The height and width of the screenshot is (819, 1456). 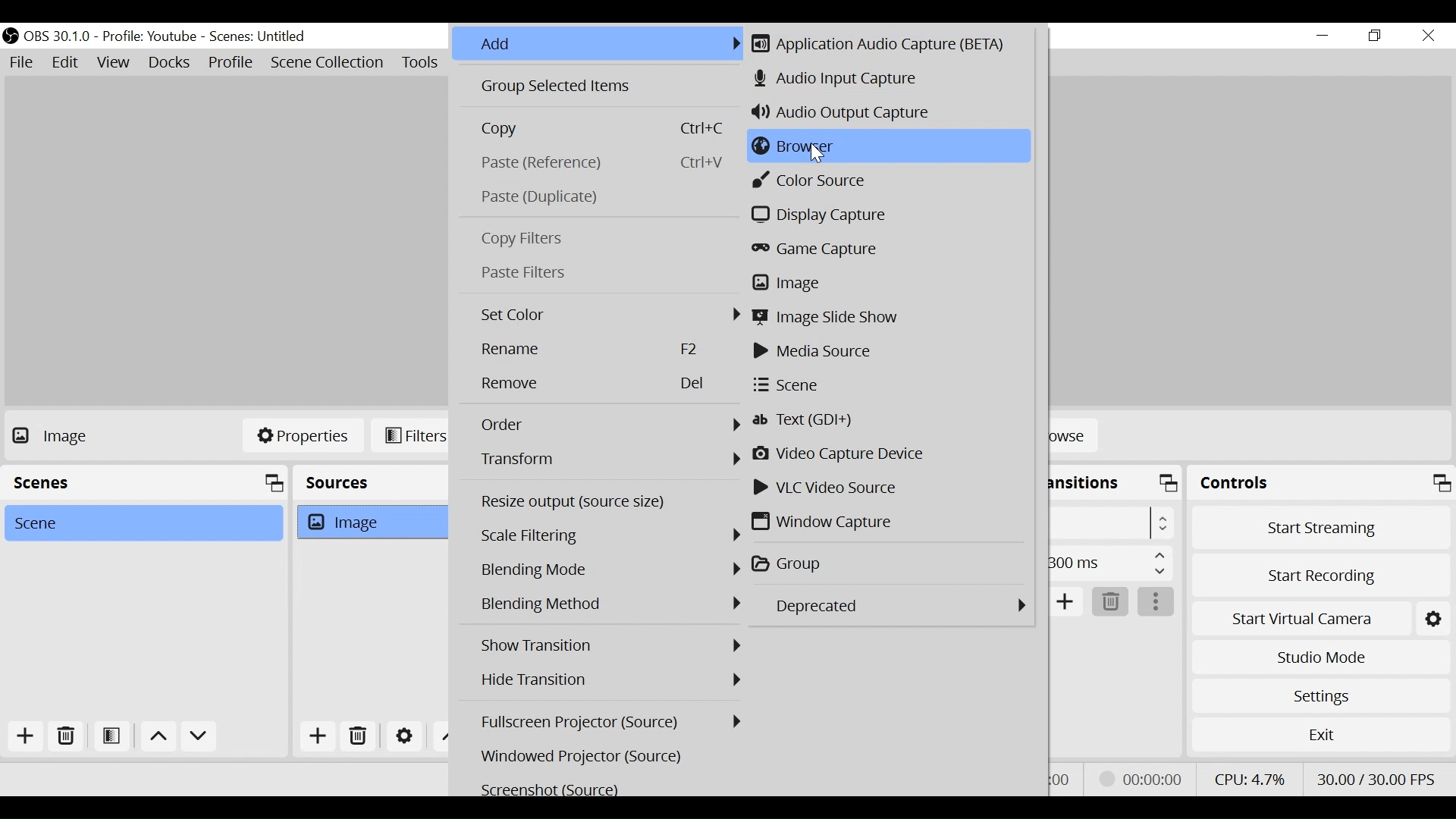 What do you see at coordinates (896, 422) in the screenshot?
I see `Text` at bounding box center [896, 422].